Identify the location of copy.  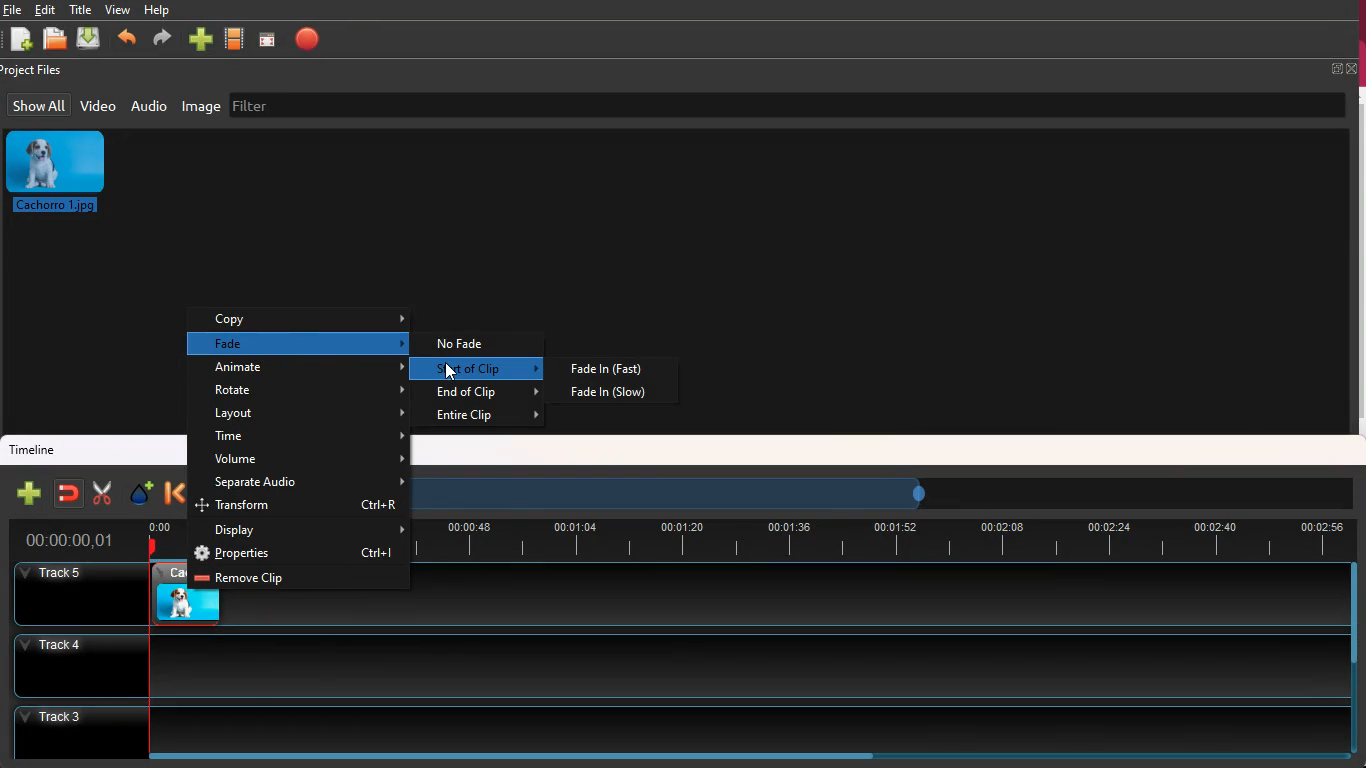
(310, 320).